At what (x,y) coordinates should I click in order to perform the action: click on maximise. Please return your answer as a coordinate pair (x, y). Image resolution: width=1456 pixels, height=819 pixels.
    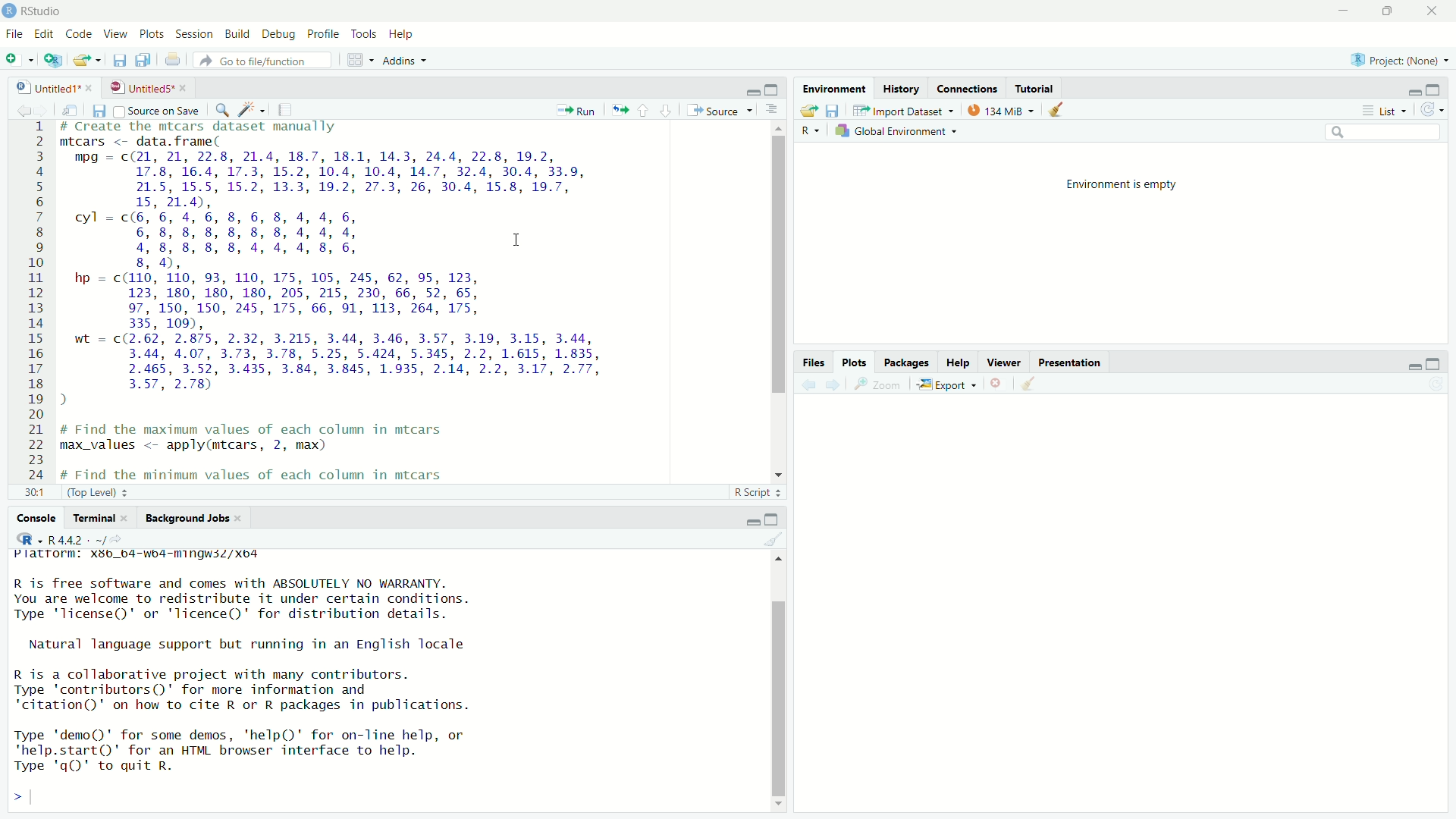
    Looking at the image, I should click on (1432, 361).